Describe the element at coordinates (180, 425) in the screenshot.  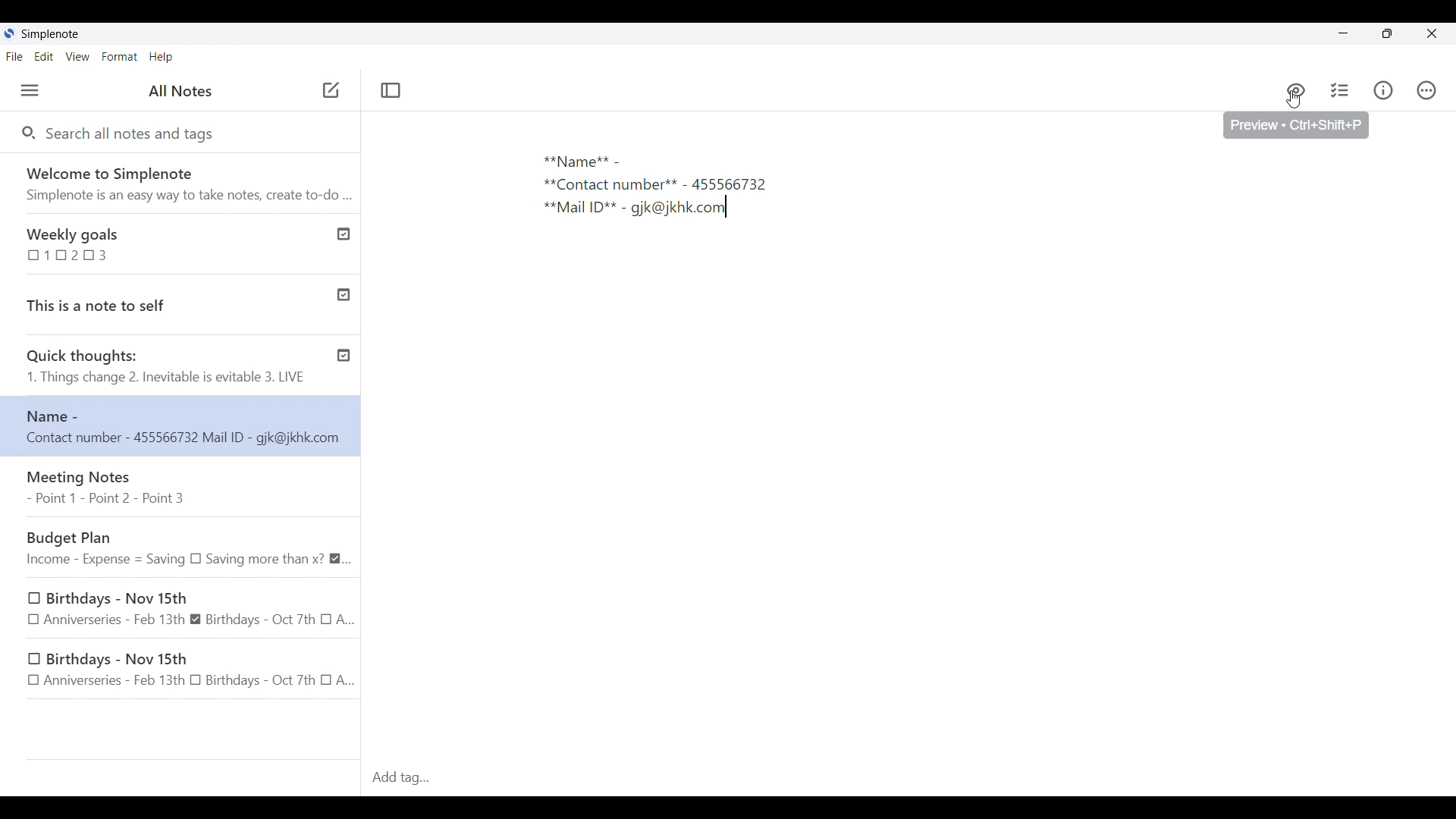
I see `New note text changed and moved up in list due to sorting` at that location.